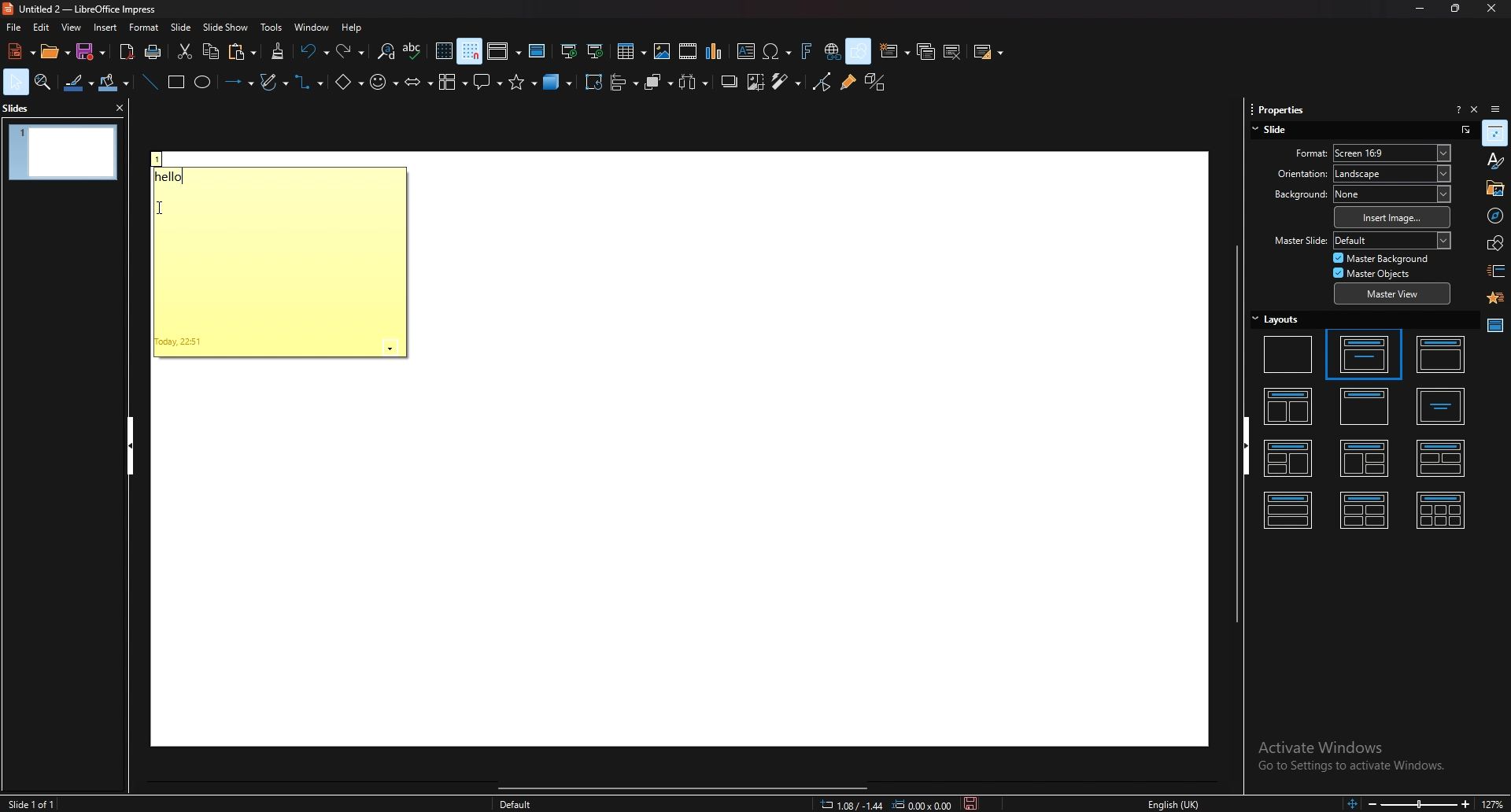 This screenshot has width=1511, height=812. I want to click on title, content and 2 content, so click(1365, 458).